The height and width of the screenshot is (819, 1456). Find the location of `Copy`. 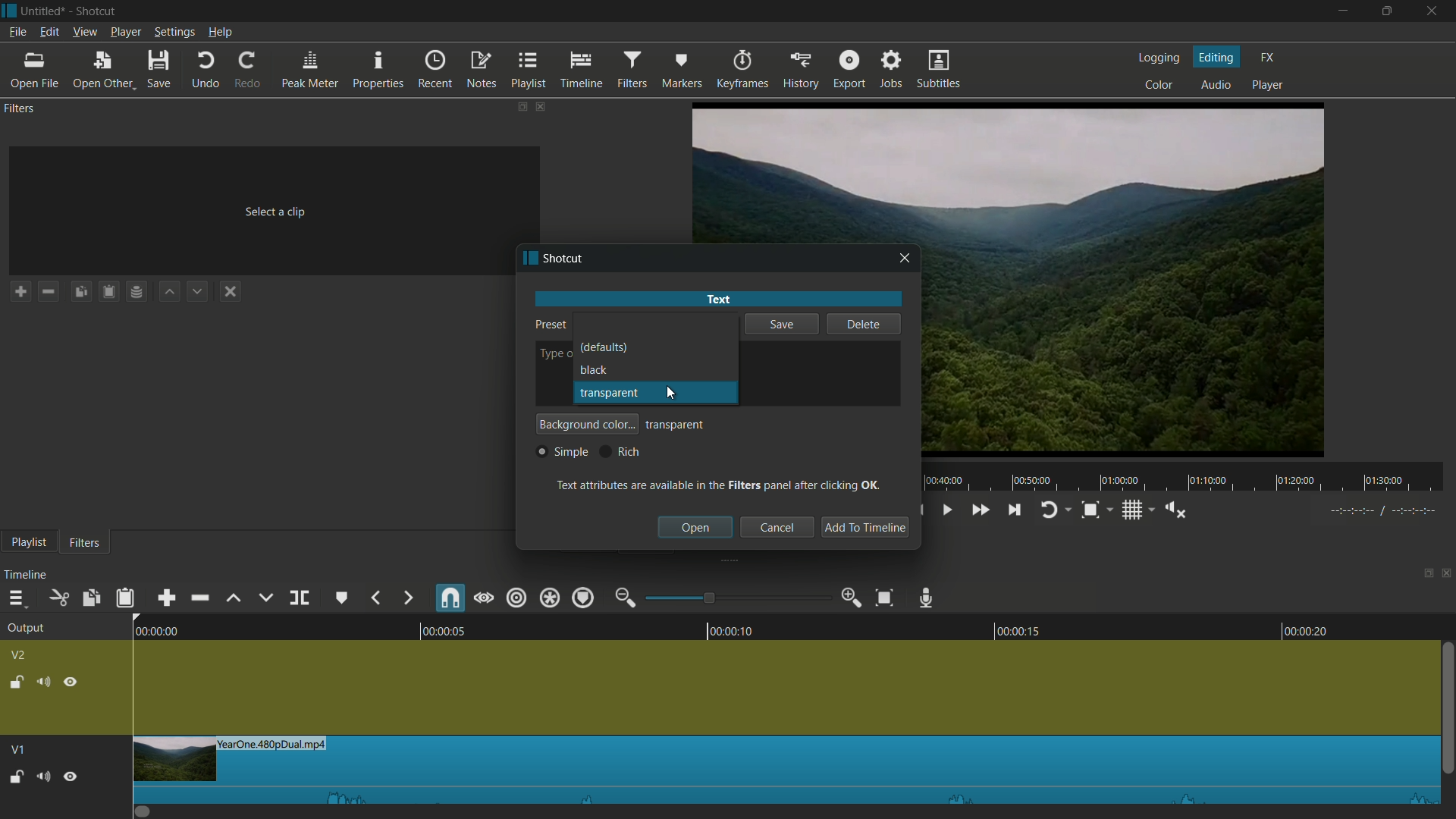

Copy is located at coordinates (80, 293).